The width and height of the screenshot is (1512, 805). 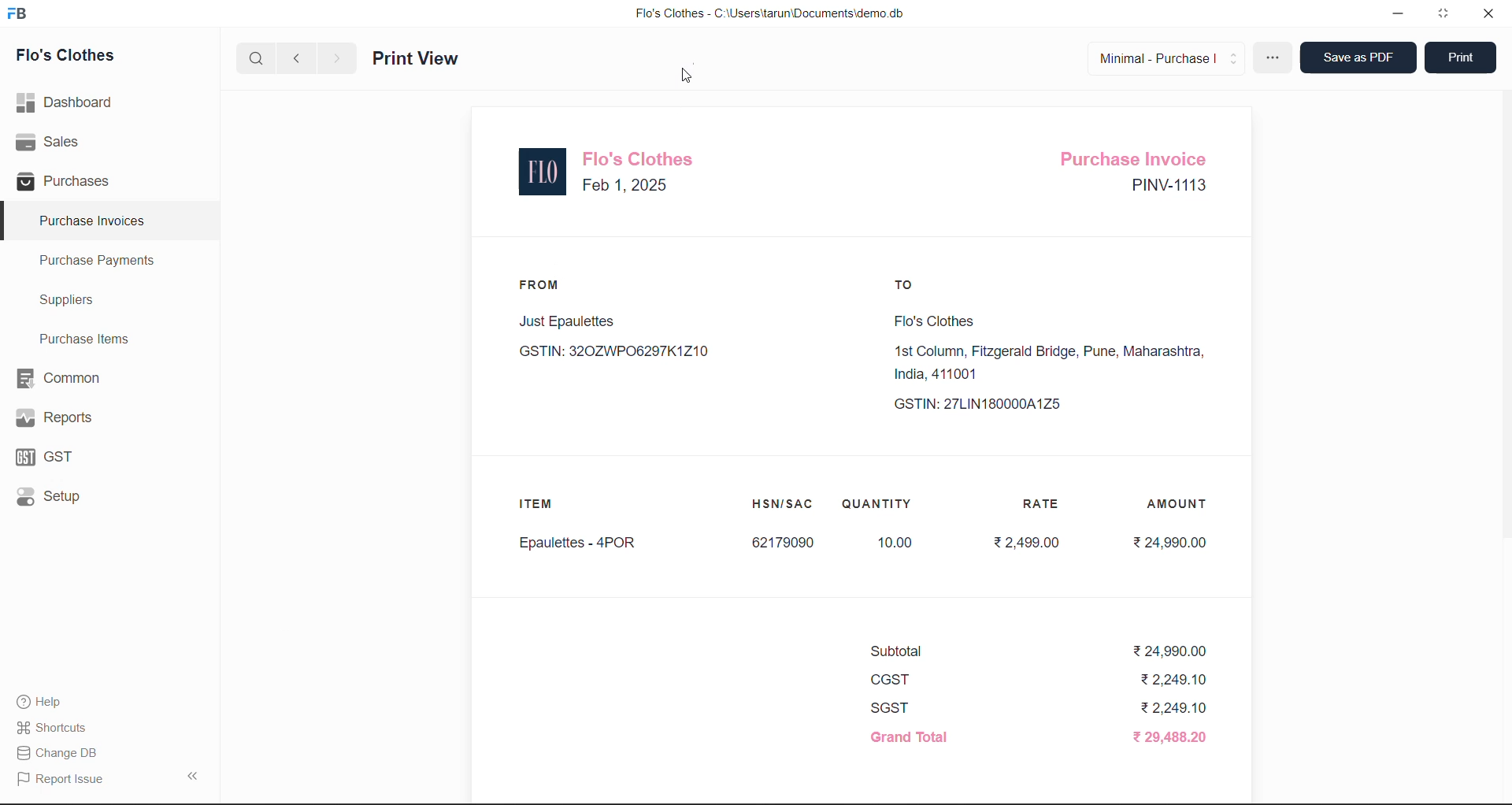 I want to click on collapse, so click(x=198, y=777).